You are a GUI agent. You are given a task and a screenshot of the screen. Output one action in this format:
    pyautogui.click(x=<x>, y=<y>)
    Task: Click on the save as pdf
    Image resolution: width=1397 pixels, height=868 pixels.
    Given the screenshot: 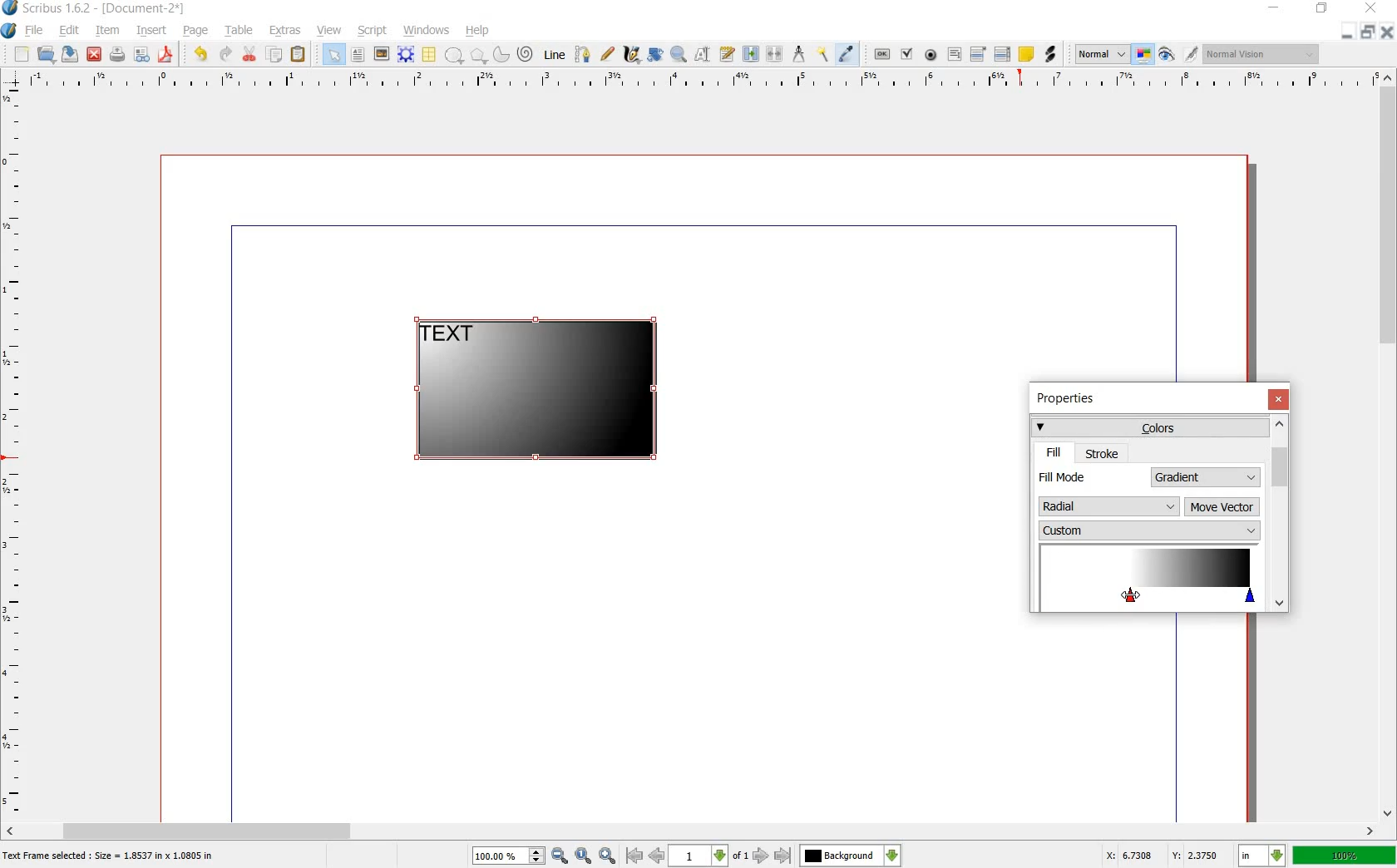 What is the action you would take?
    pyautogui.click(x=165, y=55)
    